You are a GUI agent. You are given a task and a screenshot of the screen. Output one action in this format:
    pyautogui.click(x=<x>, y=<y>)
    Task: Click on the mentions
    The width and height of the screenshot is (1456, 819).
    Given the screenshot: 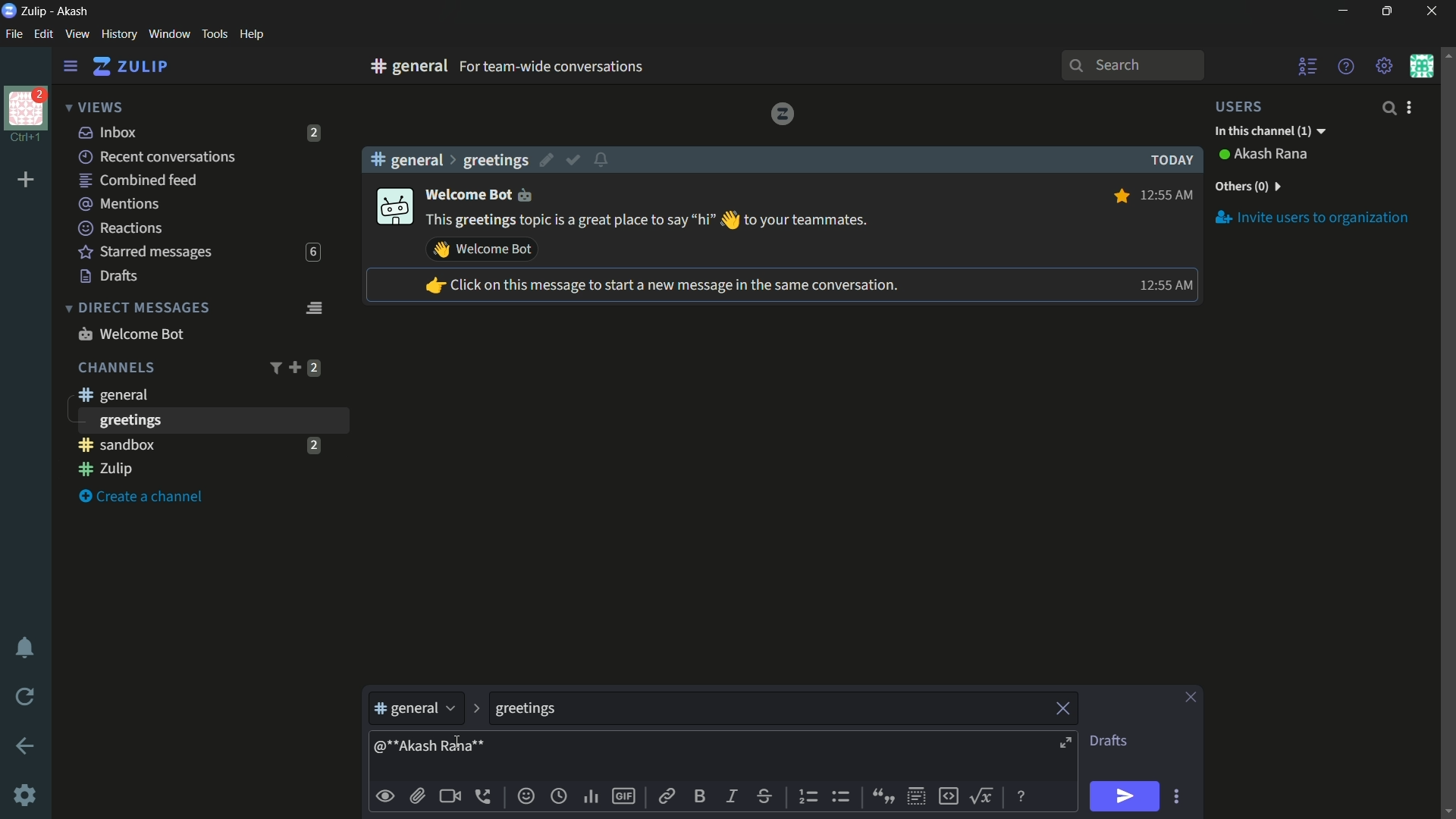 What is the action you would take?
    pyautogui.click(x=121, y=205)
    